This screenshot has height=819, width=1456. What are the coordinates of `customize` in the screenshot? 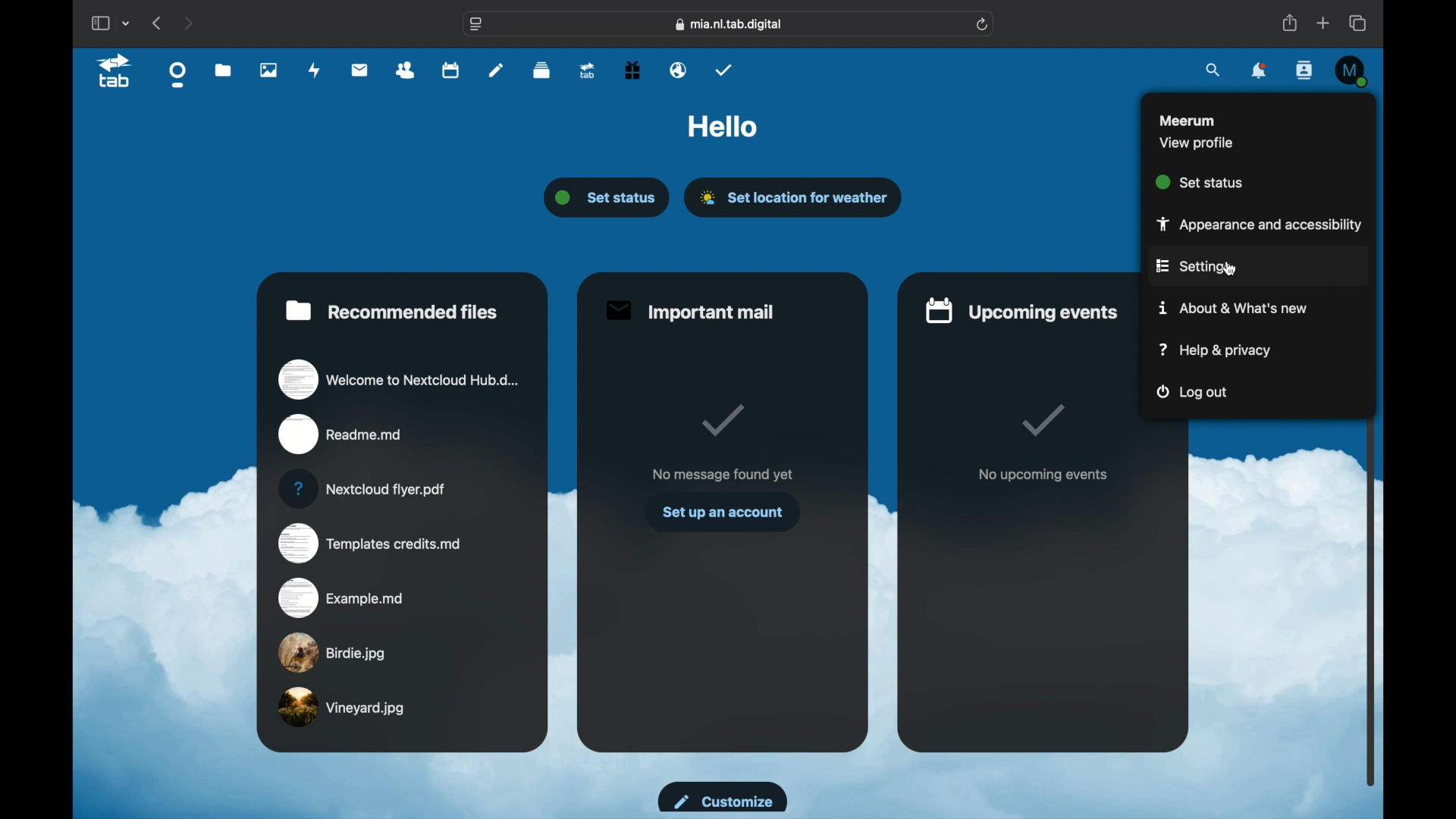 It's located at (720, 796).